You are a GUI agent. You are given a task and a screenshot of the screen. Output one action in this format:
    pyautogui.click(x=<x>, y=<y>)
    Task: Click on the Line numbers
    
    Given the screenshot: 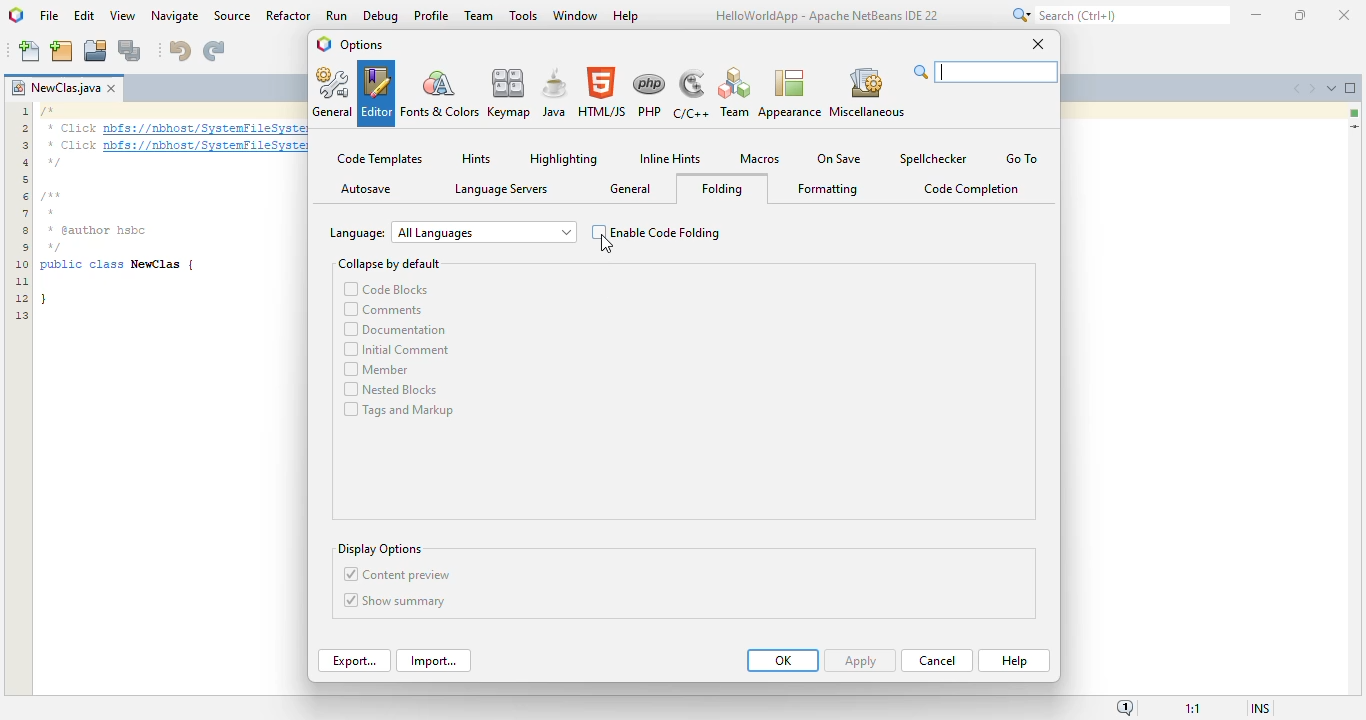 What is the action you would take?
    pyautogui.click(x=20, y=214)
    